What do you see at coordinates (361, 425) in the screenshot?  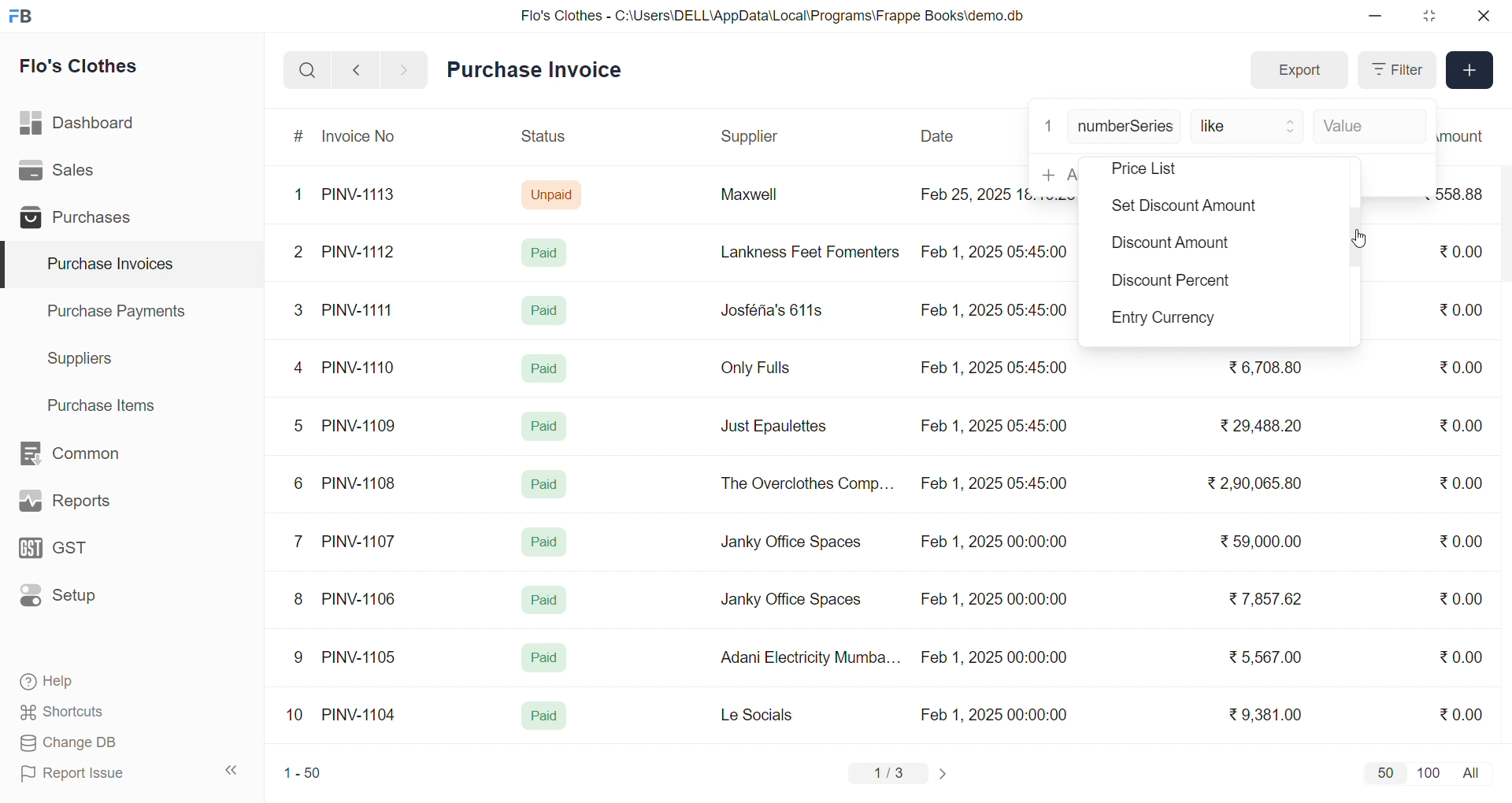 I see `PINV-1109` at bounding box center [361, 425].